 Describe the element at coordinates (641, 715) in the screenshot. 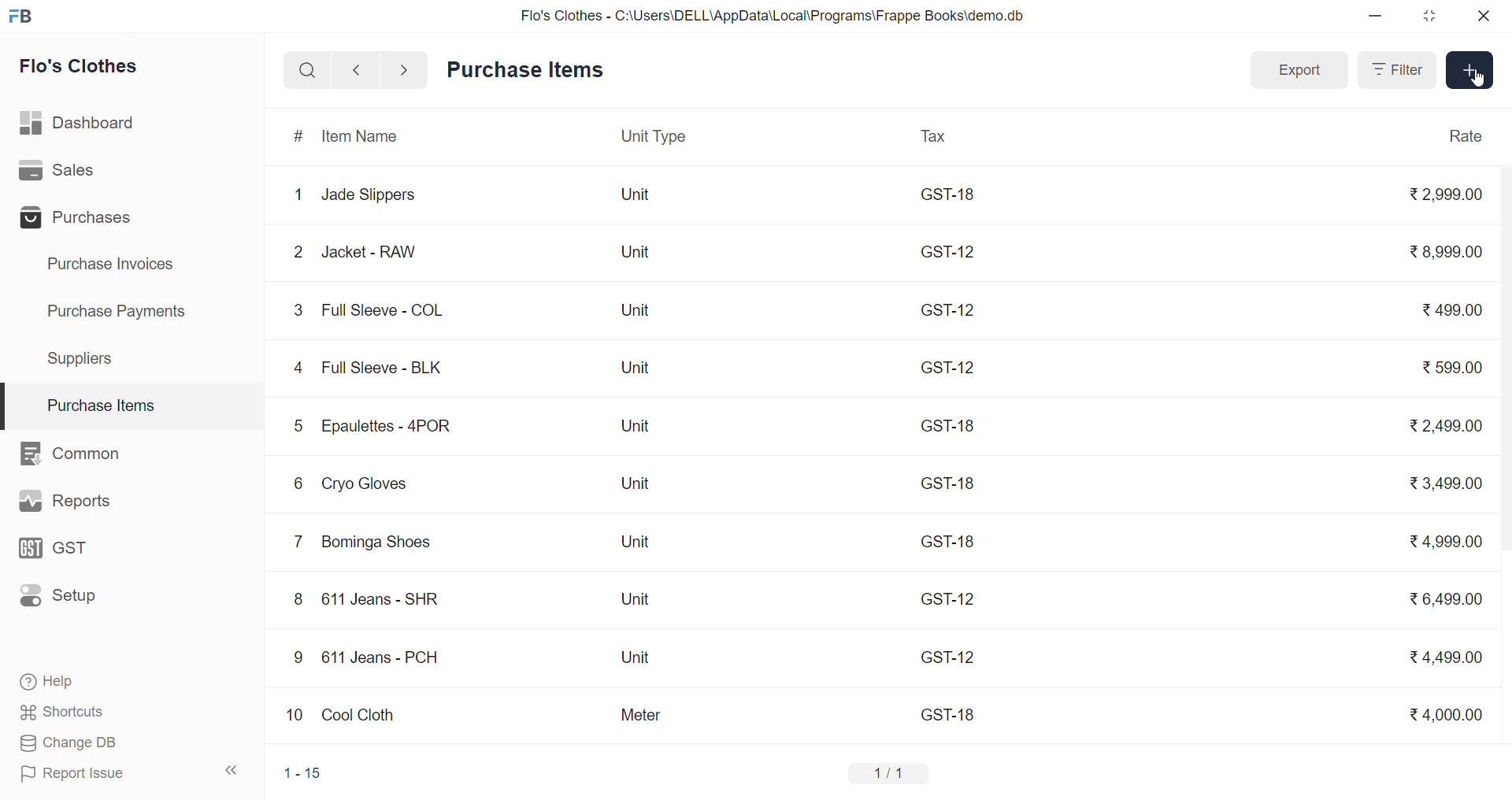

I see `Meter` at that location.